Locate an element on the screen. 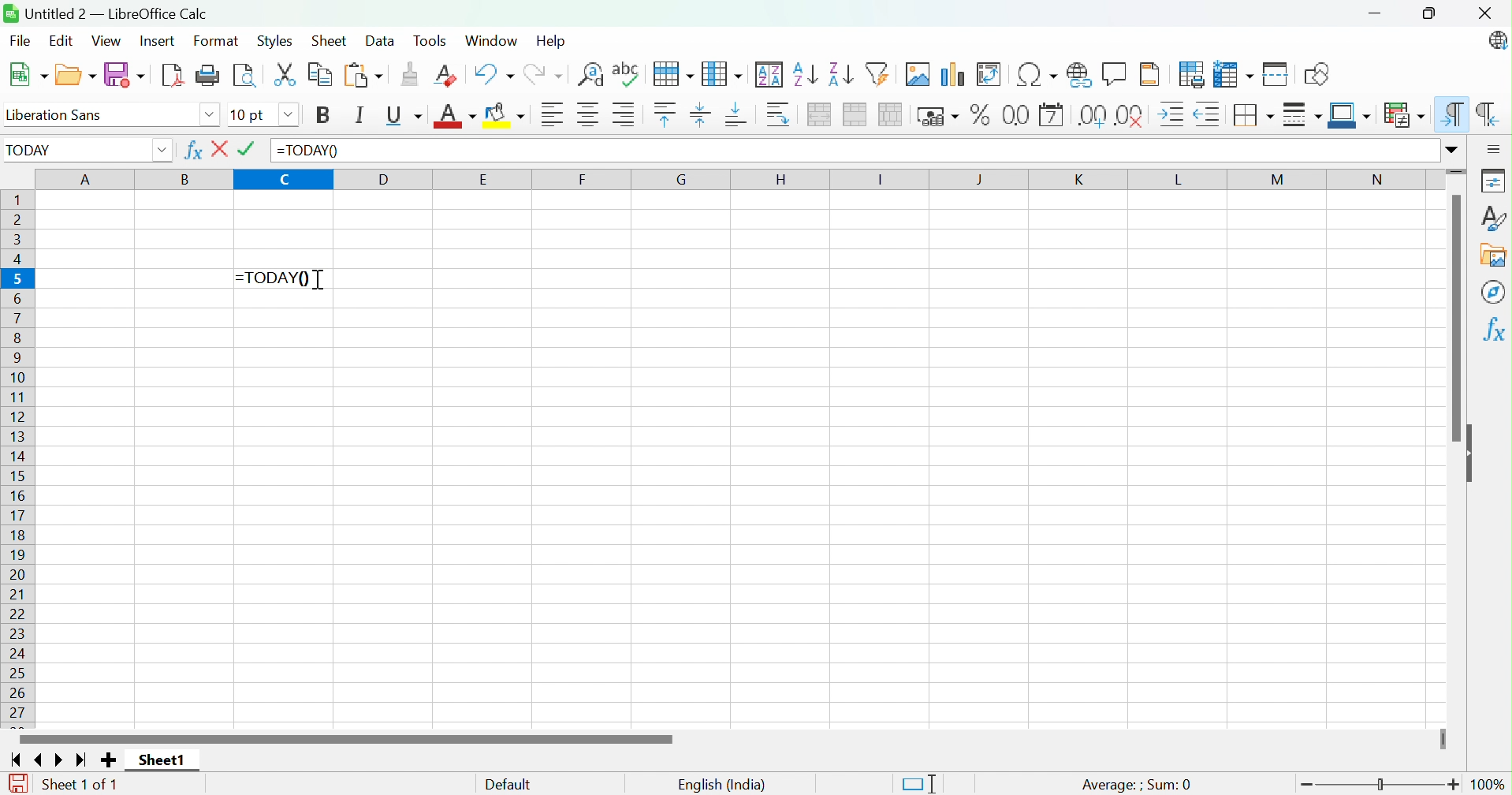 The image size is (1512, 795). Format as date is located at coordinates (1051, 116).